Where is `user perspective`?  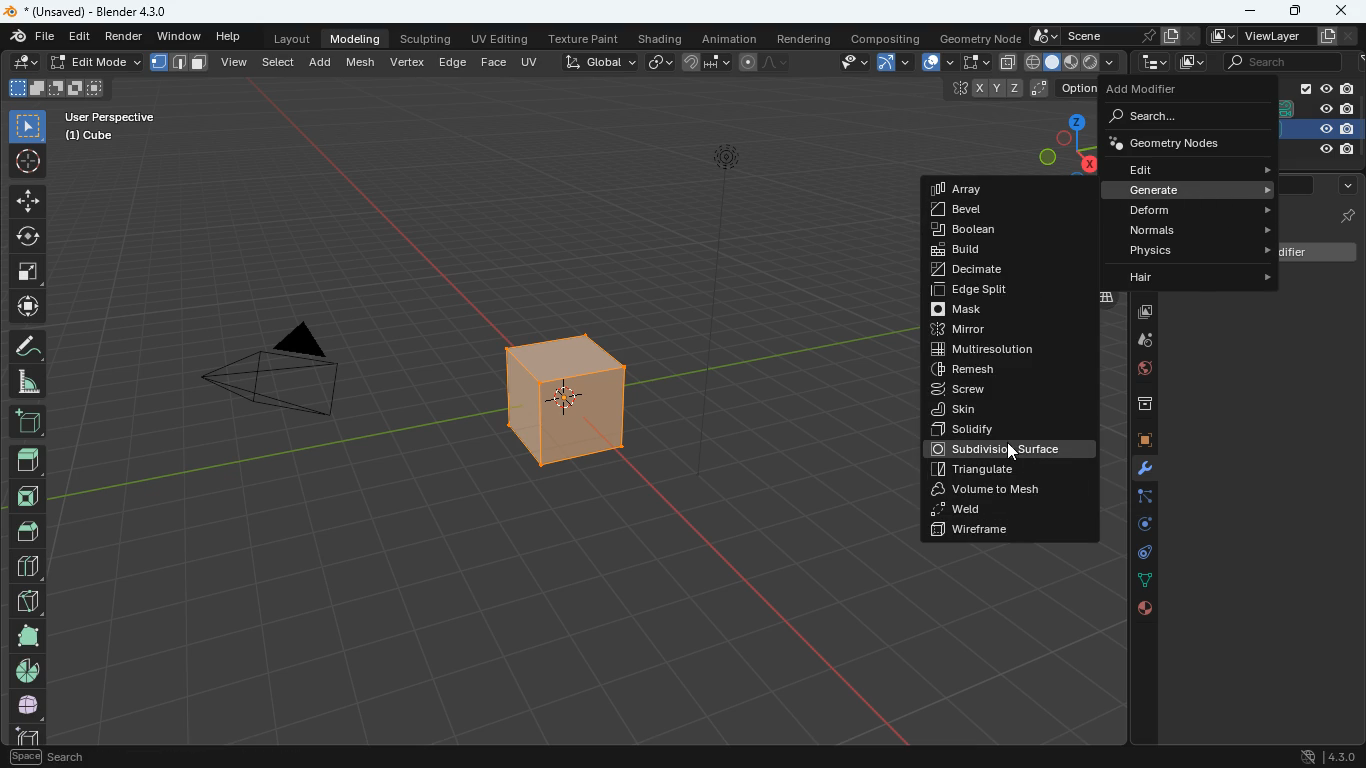 user perspective is located at coordinates (108, 126).